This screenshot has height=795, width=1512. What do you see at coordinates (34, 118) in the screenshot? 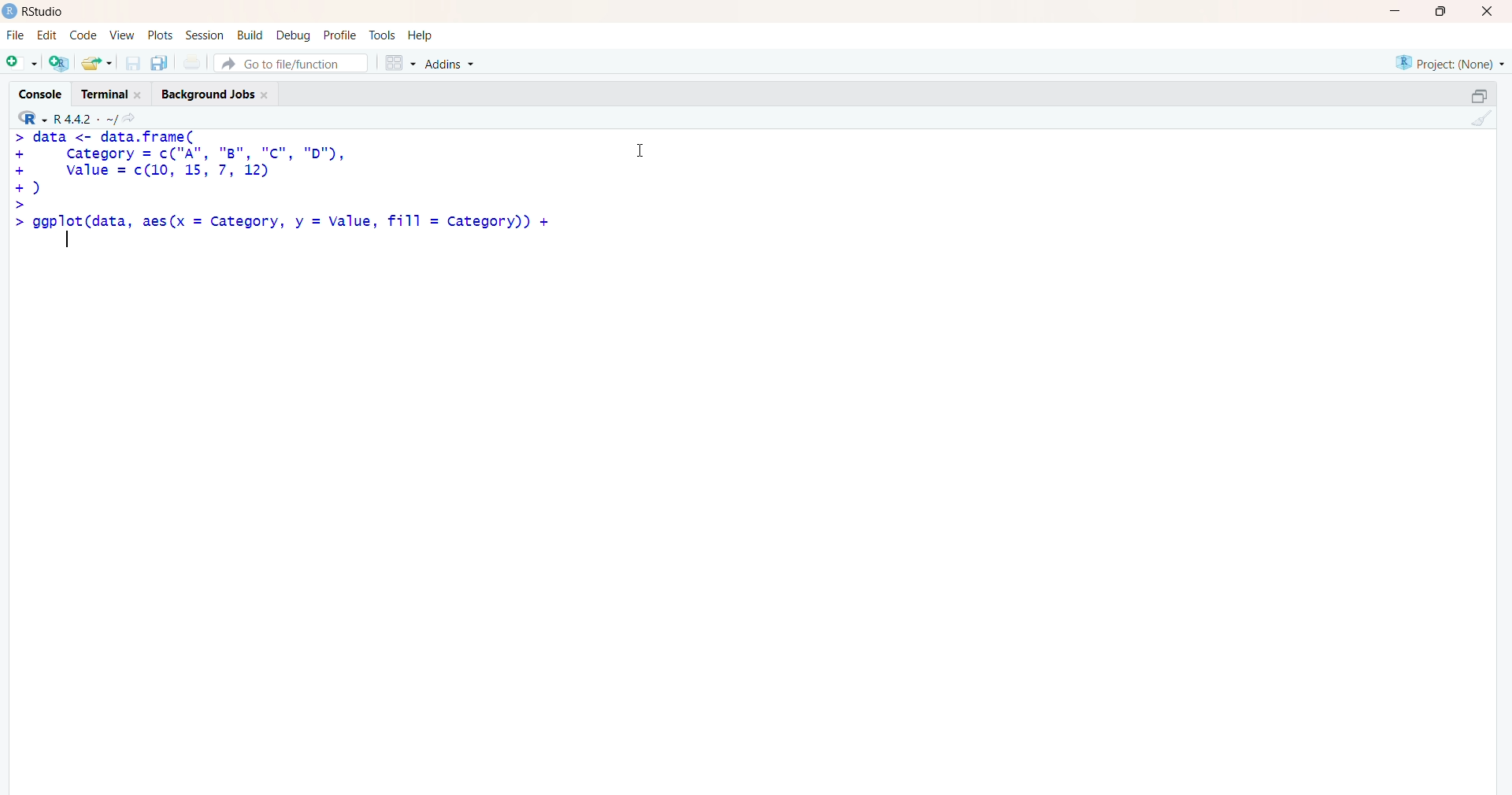
I see `R language` at bounding box center [34, 118].